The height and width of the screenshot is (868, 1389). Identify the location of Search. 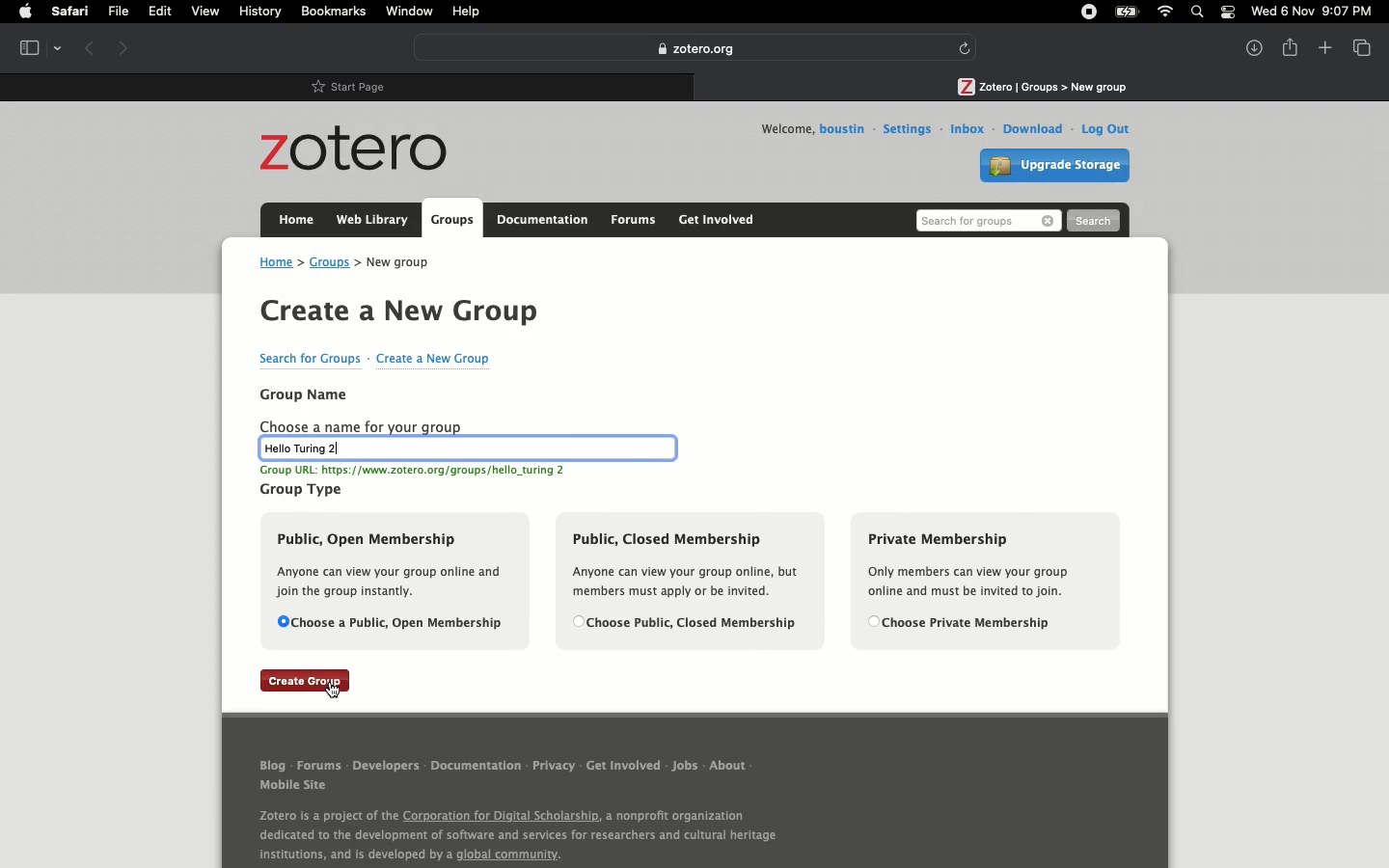
(1093, 222).